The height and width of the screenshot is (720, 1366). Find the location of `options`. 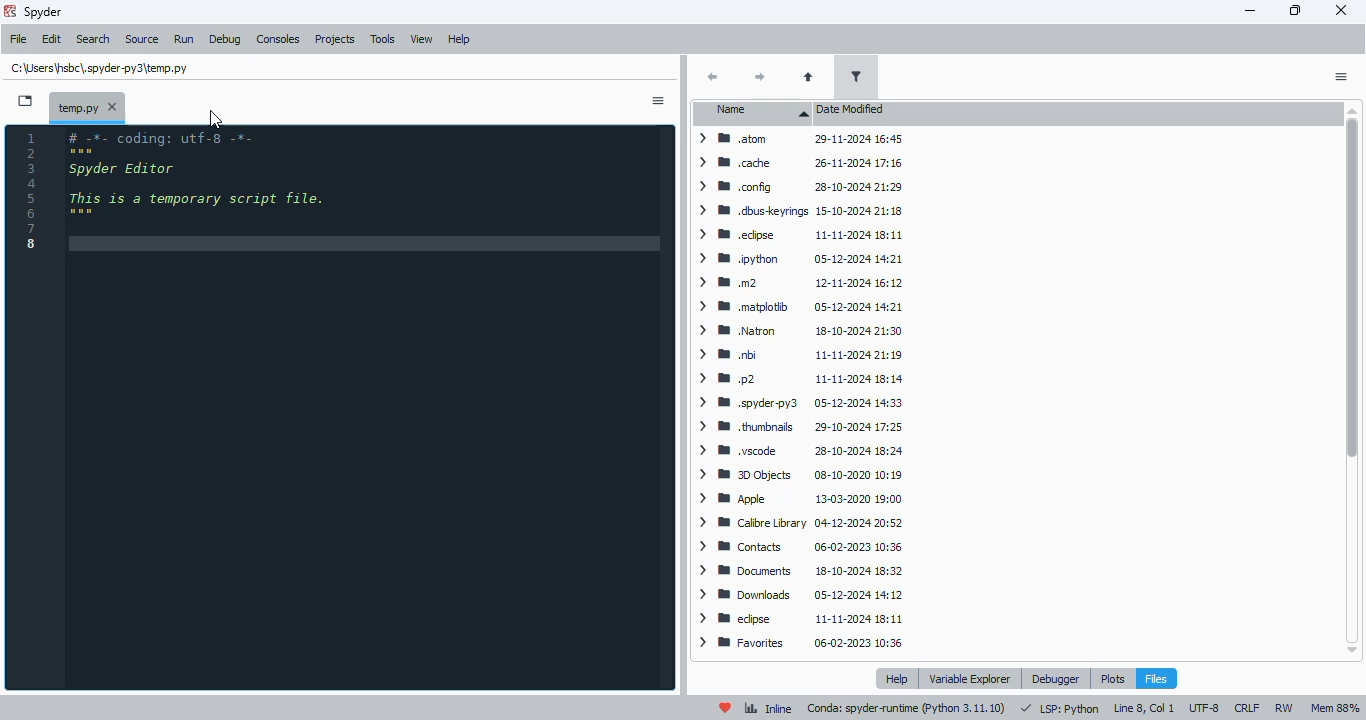

options is located at coordinates (1340, 77).